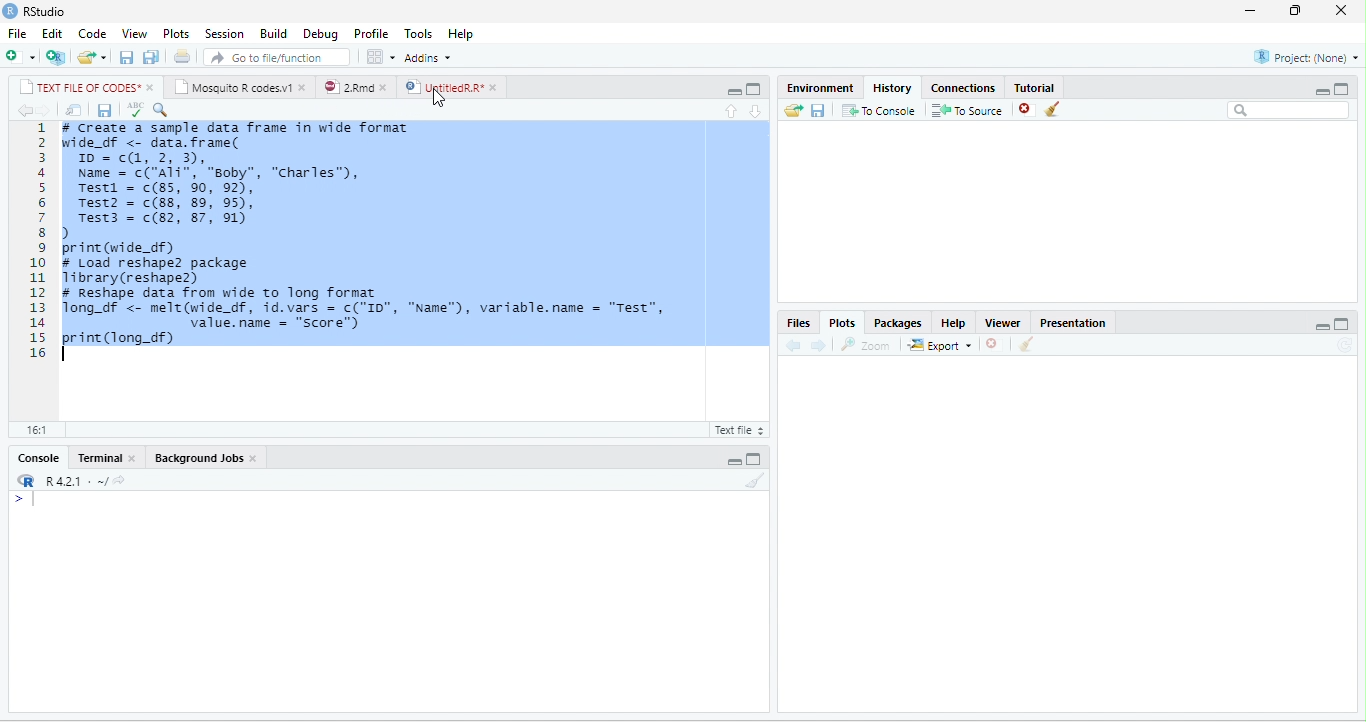  I want to click on close, so click(387, 87).